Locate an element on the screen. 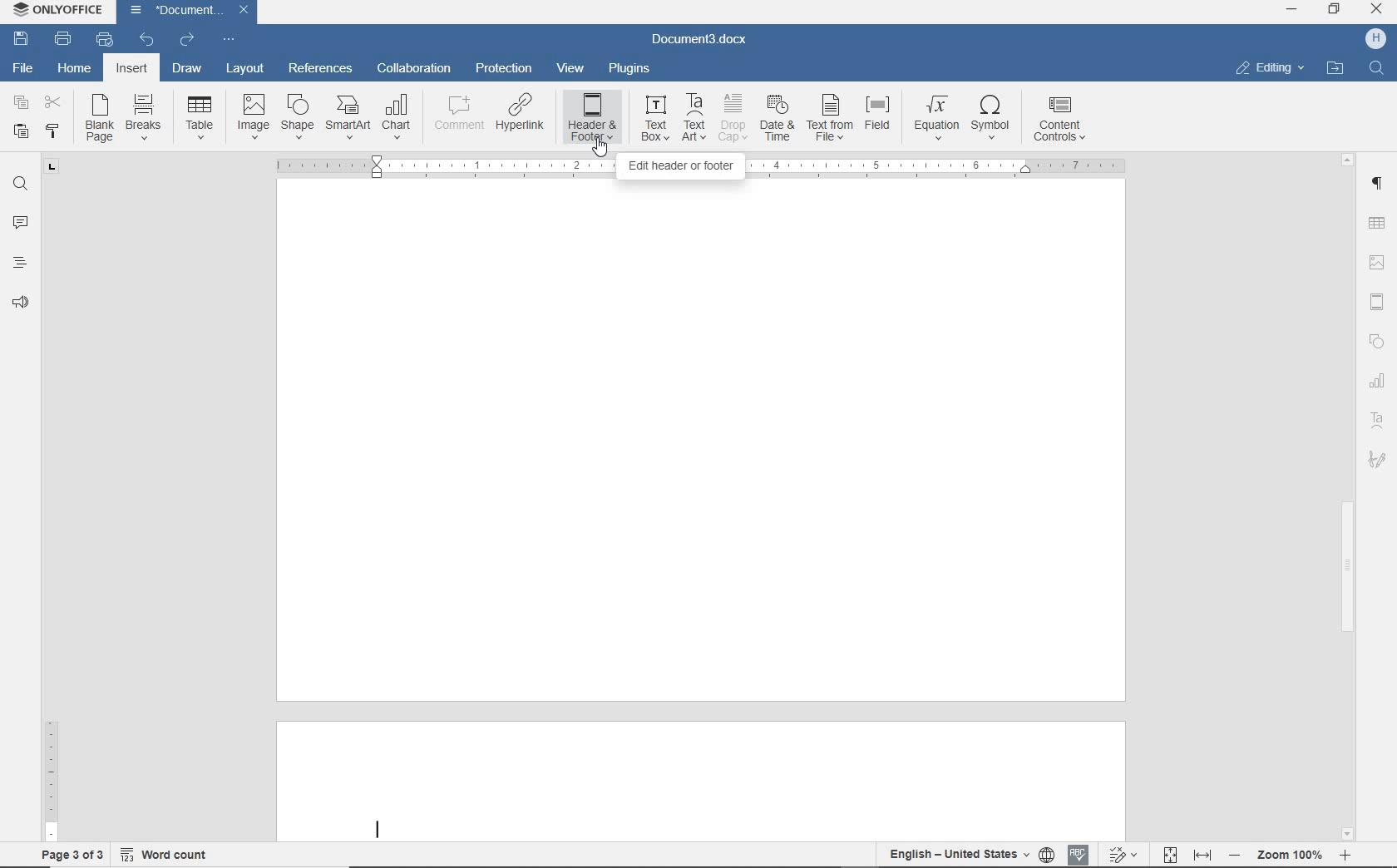 This screenshot has height=868, width=1397. IMAGE is located at coordinates (254, 116).